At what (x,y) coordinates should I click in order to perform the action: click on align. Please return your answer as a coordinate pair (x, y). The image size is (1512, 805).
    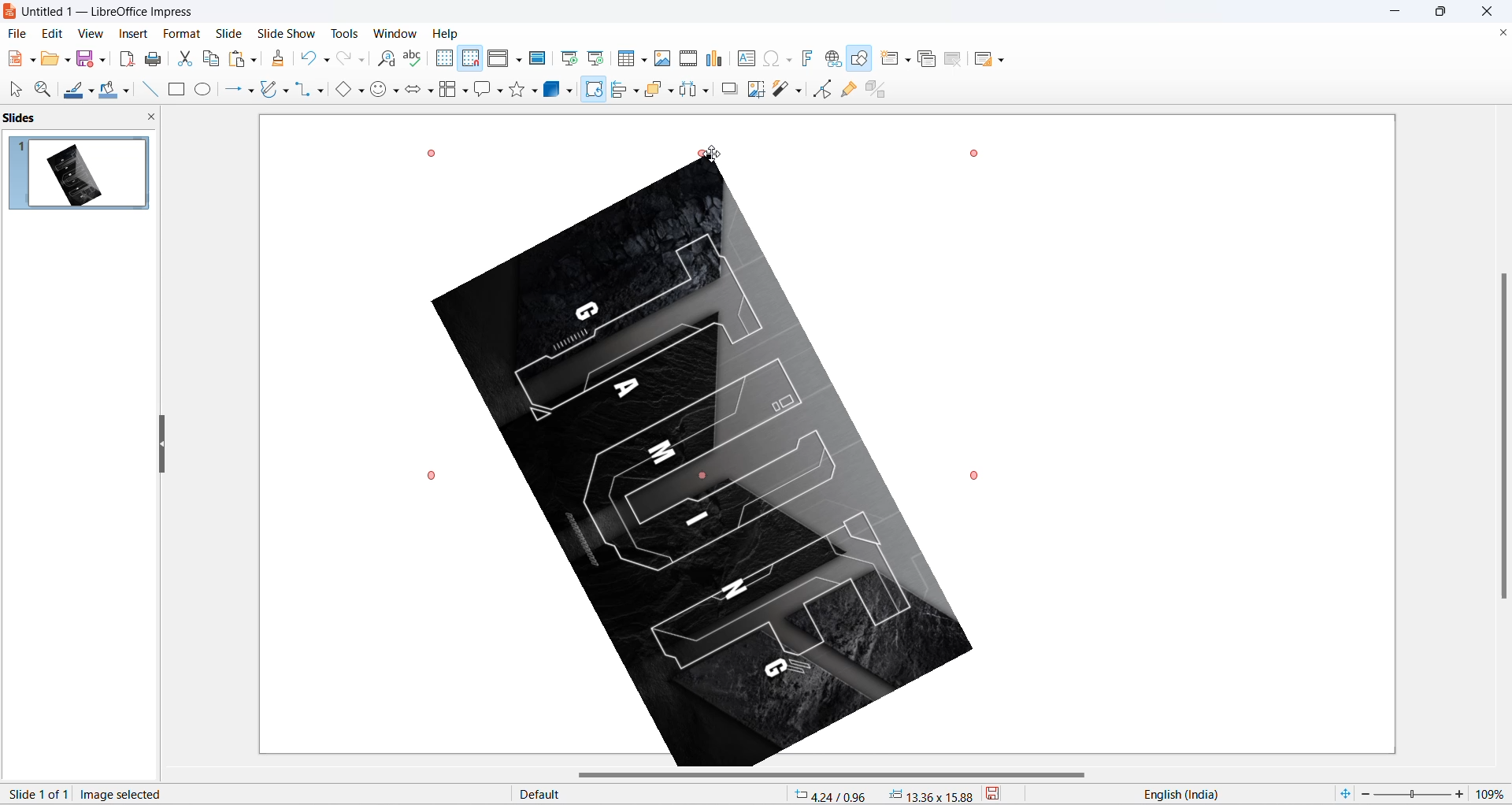
    Looking at the image, I should click on (621, 90).